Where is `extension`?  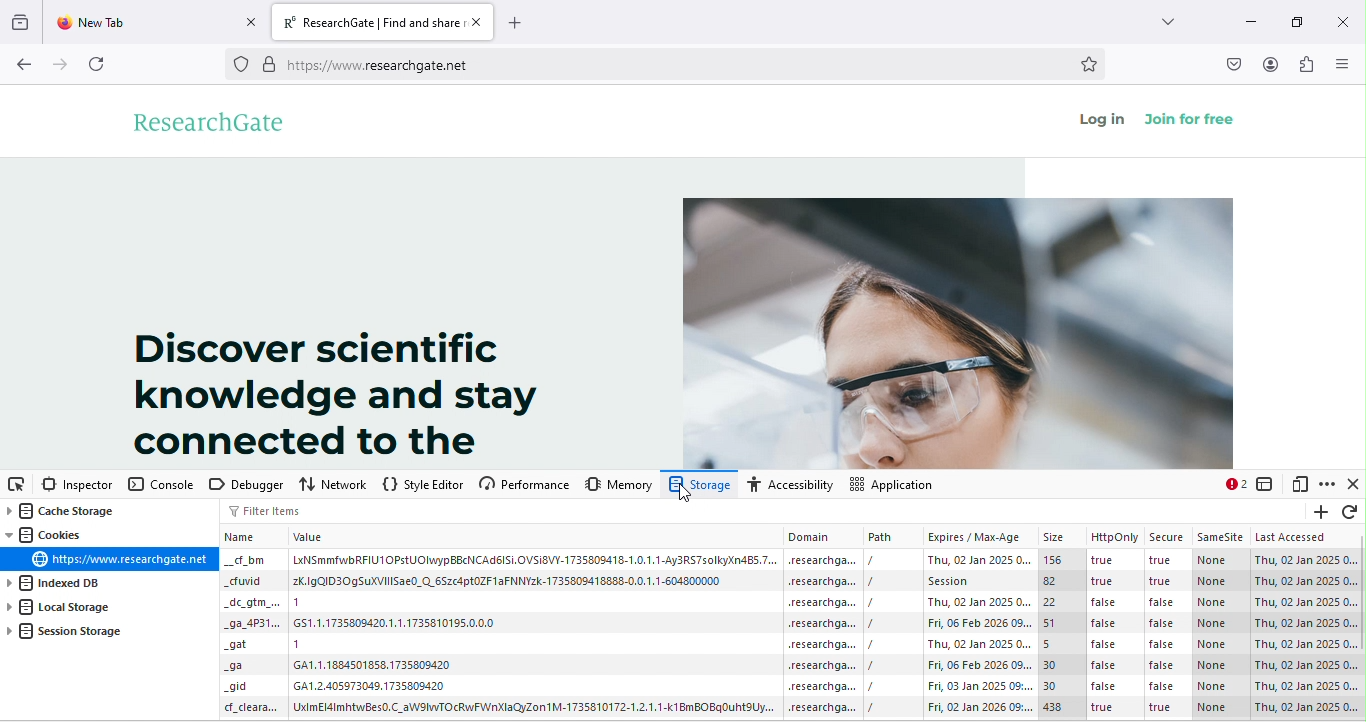
extension is located at coordinates (1306, 63).